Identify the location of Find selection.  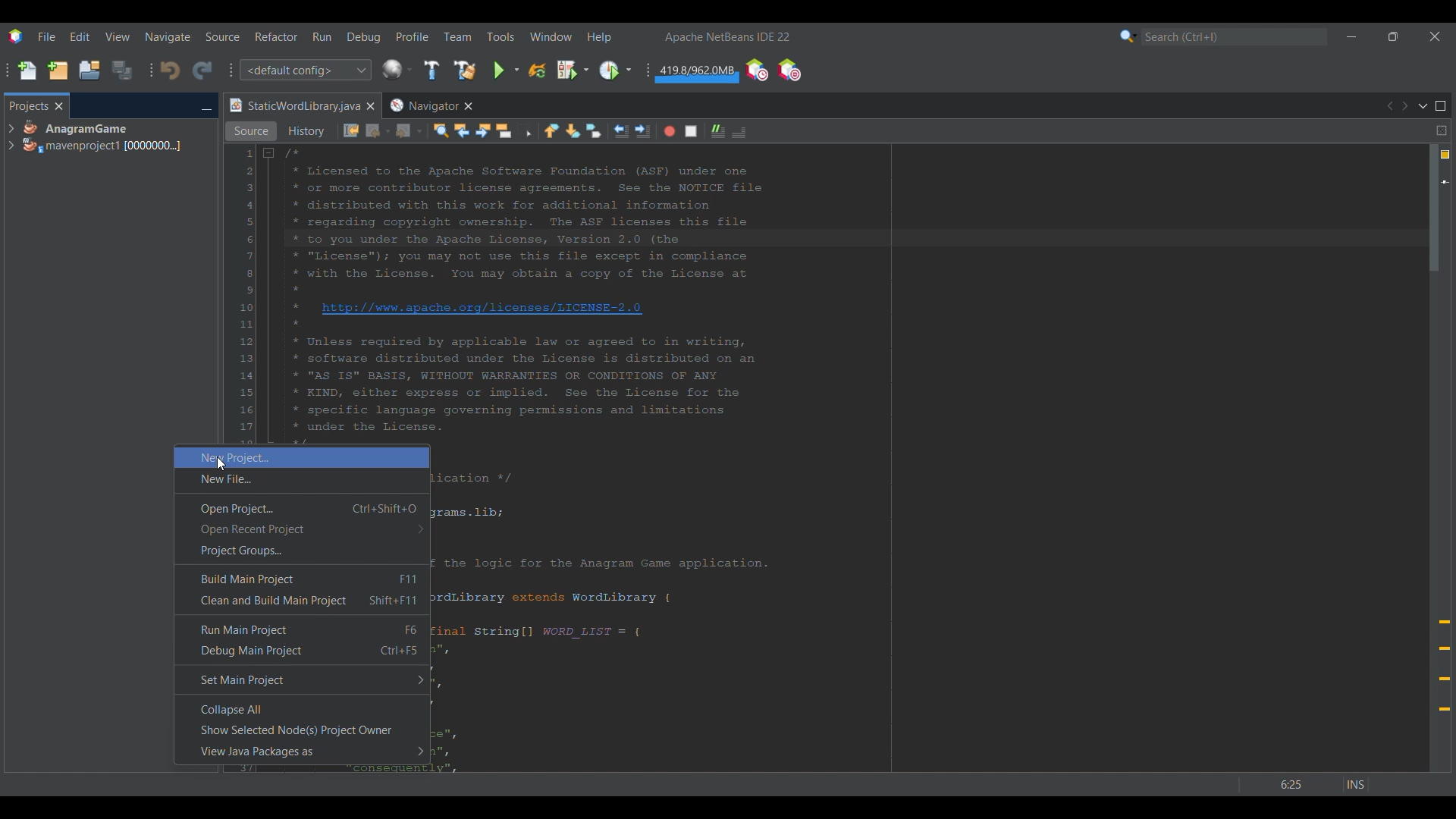
(441, 130).